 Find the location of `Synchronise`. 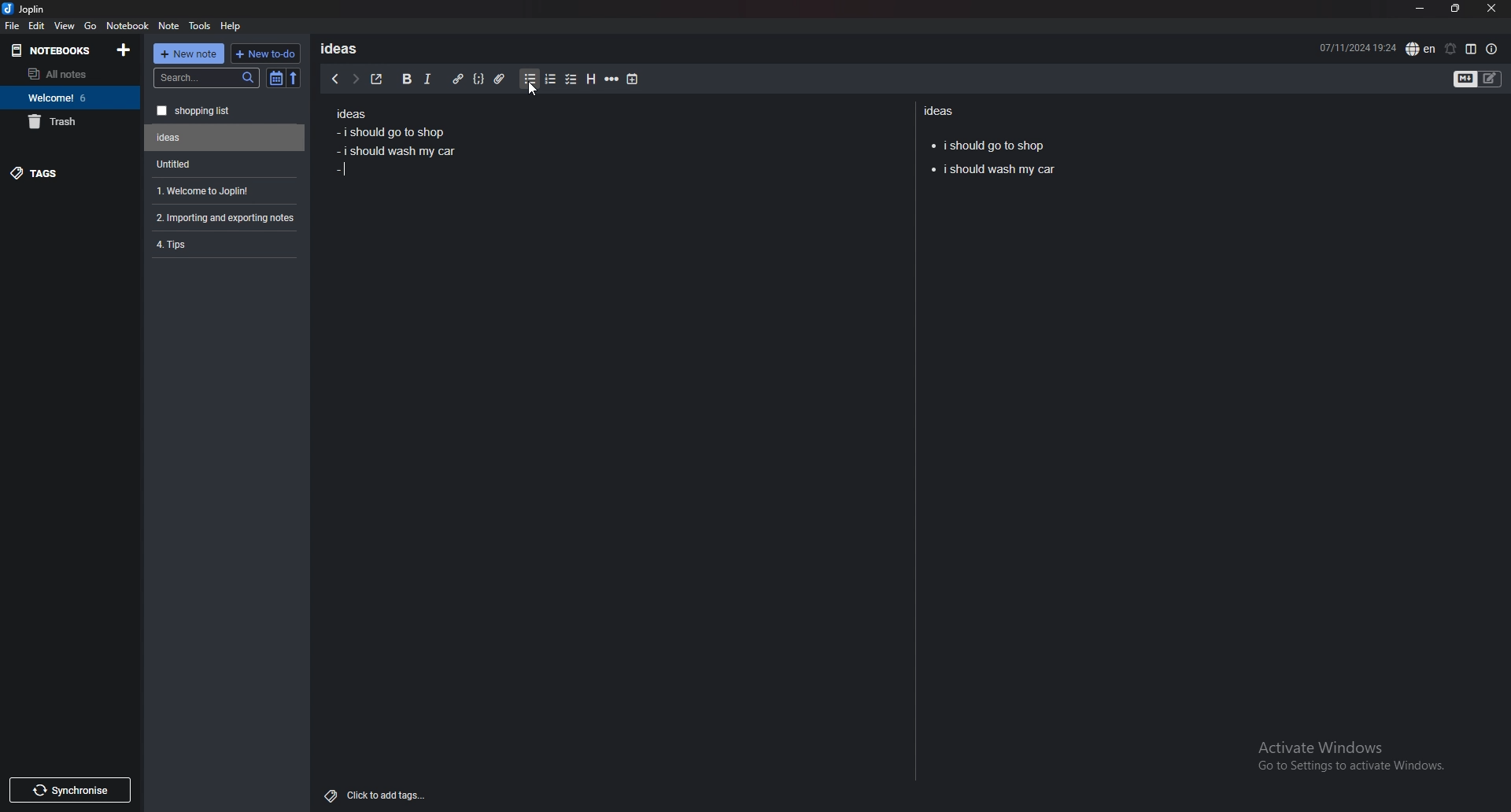

Synchronise is located at coordinates (69, 790).